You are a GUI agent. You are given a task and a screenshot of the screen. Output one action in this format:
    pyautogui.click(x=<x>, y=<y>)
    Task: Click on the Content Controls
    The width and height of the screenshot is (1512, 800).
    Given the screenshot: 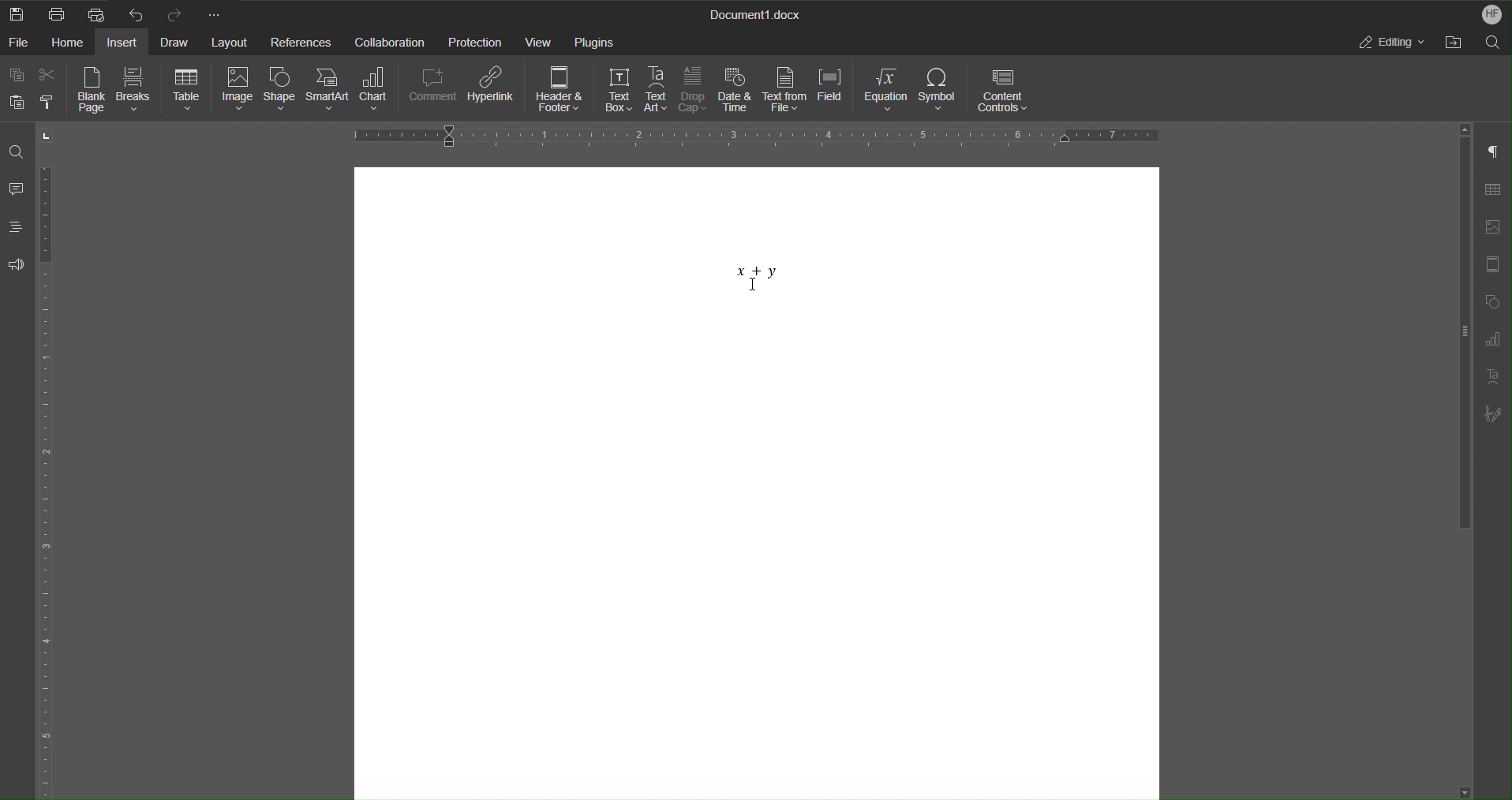 What is the action you would take?
    pyautogui.click(x=1002, y=91)
    